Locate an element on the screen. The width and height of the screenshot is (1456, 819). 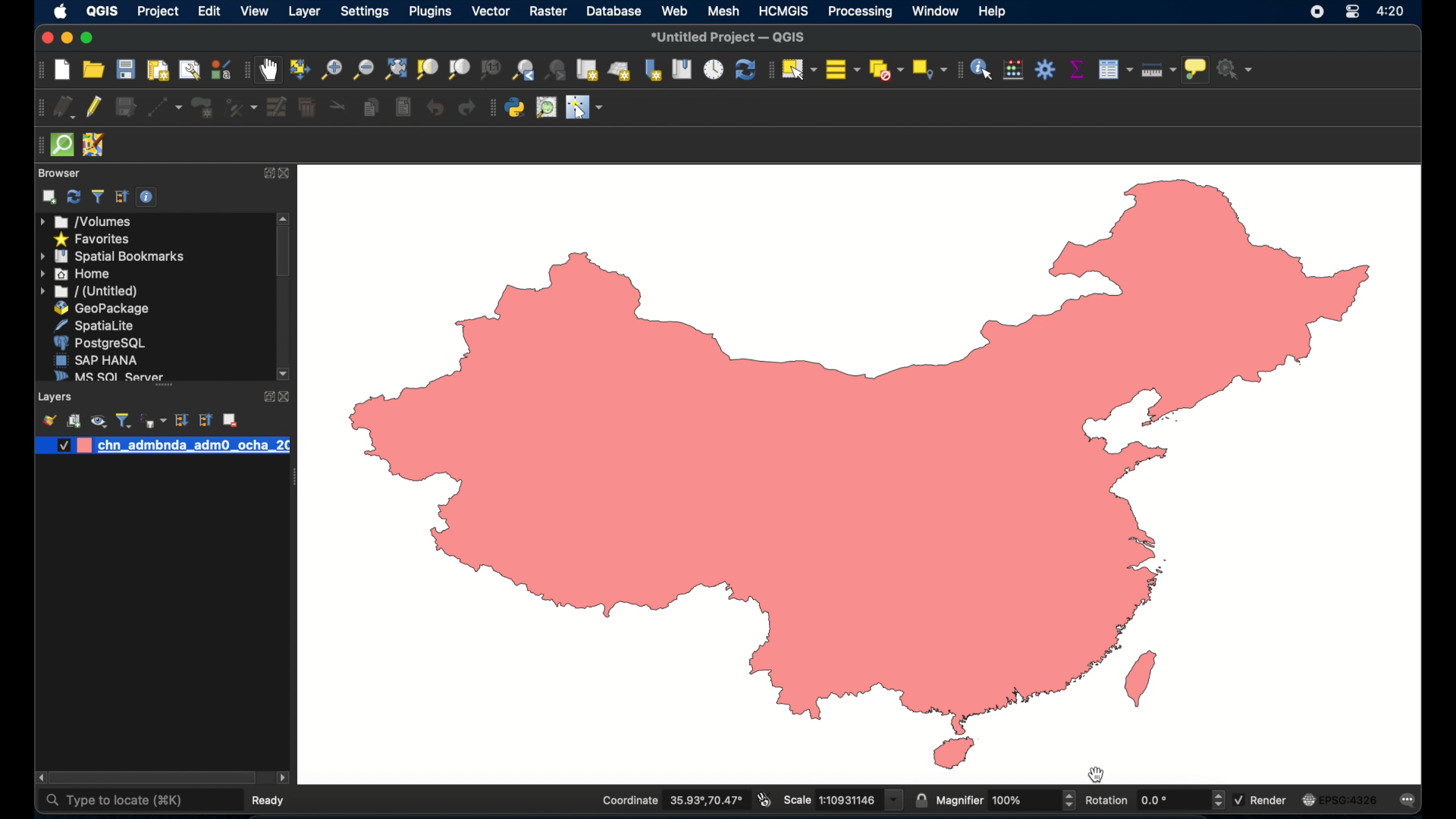
apple icon is located at coordinates (59, 11).